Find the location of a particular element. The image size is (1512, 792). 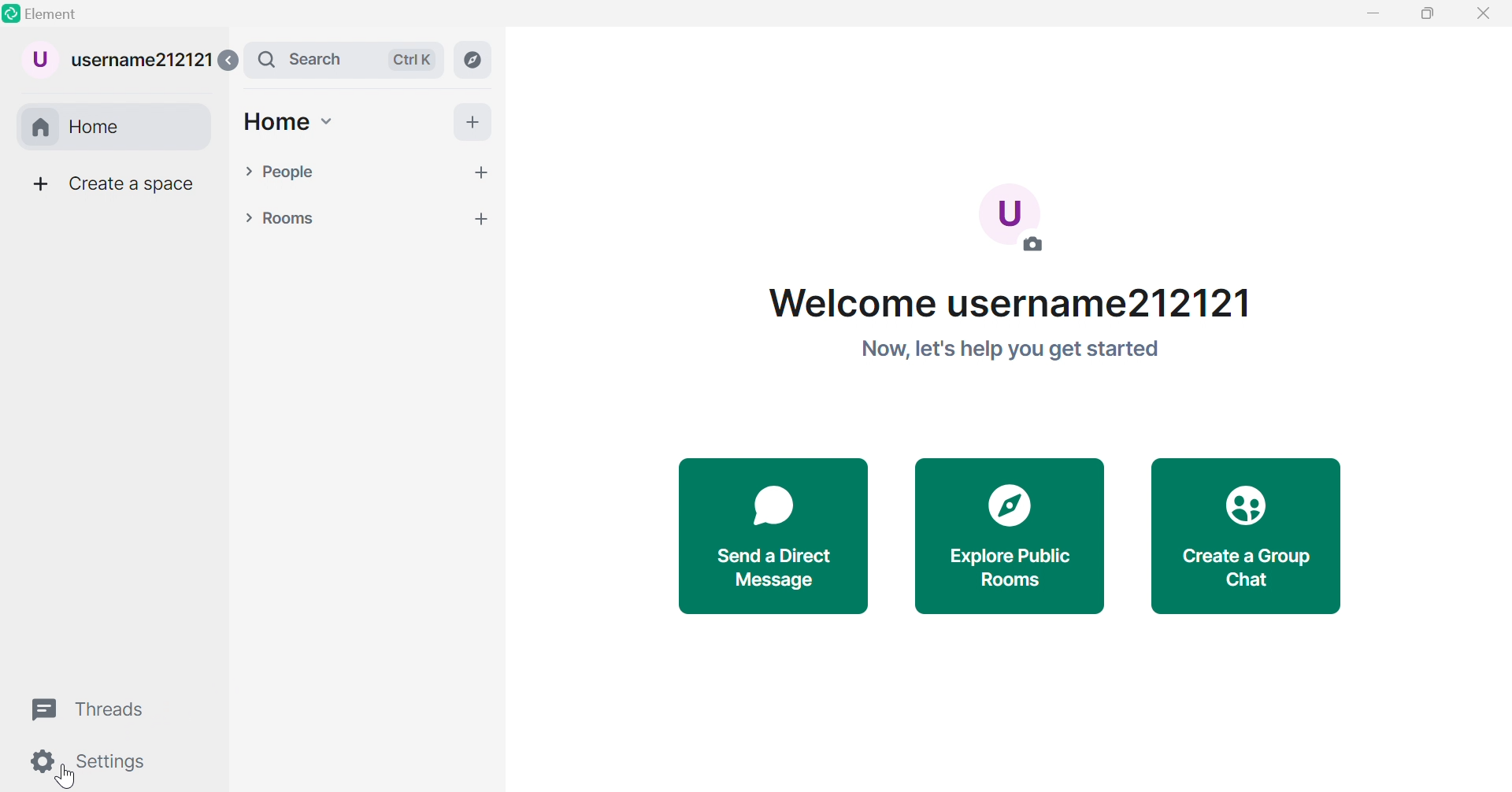

username212121 is located at coordinates (118, 61).